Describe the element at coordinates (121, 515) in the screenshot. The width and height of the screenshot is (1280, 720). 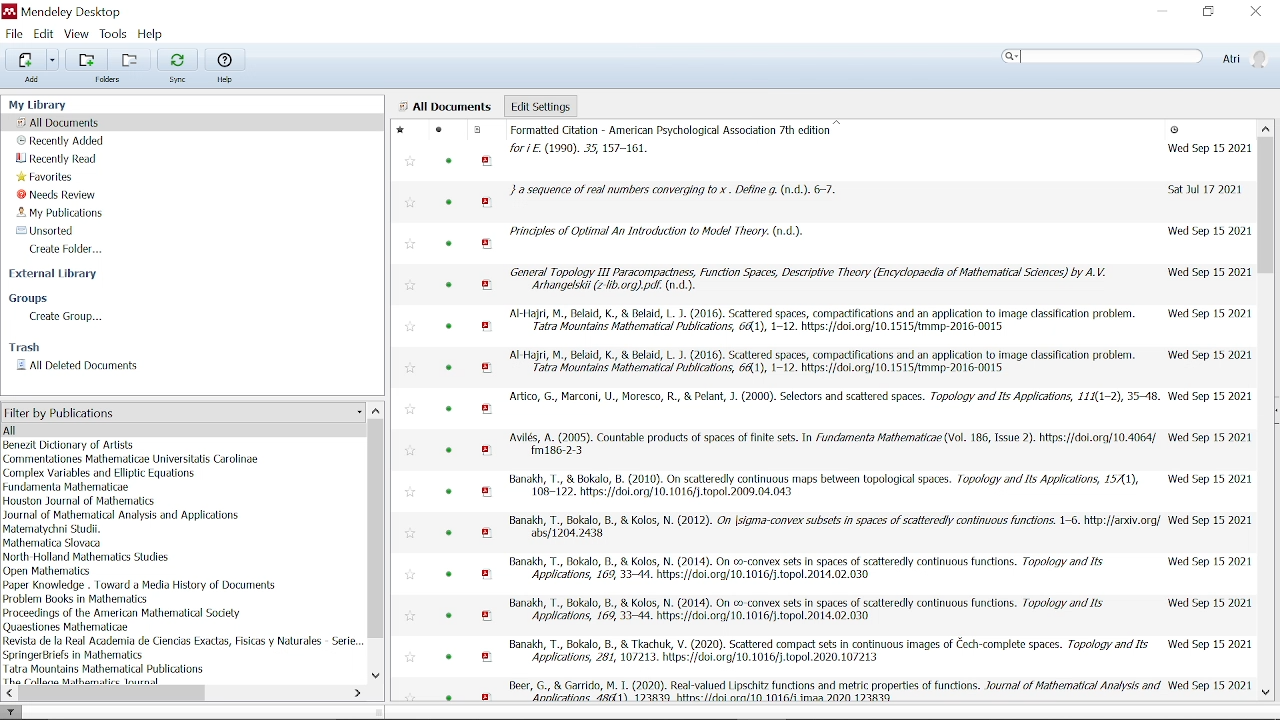
I see `author` at that location.